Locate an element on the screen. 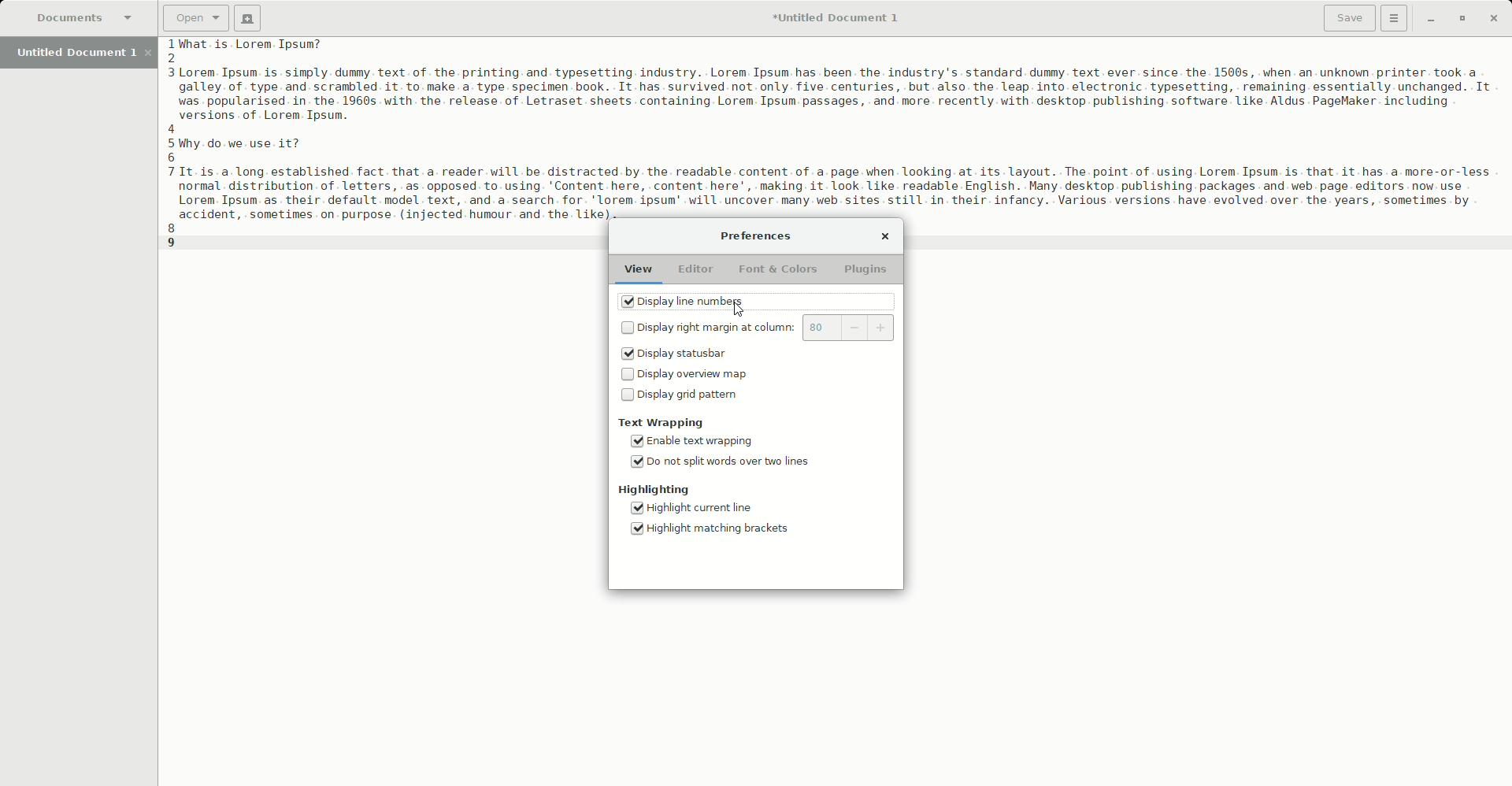  Save is located at coordinates (1342, 18).